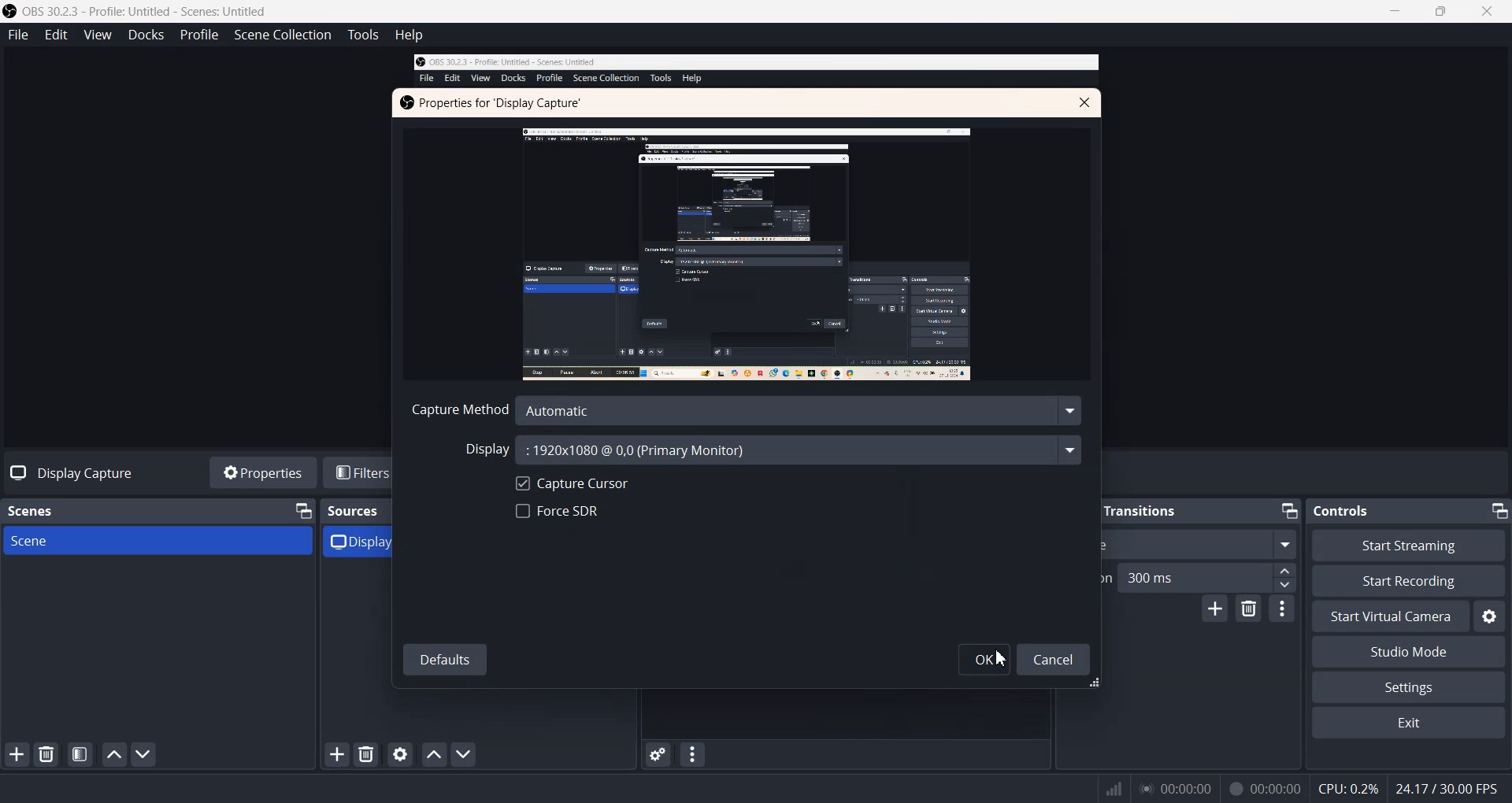 This screenshot has height=803, width=1512. Describe the element at coordinates (17, 34) in the screenshot. I see `File` at that location.